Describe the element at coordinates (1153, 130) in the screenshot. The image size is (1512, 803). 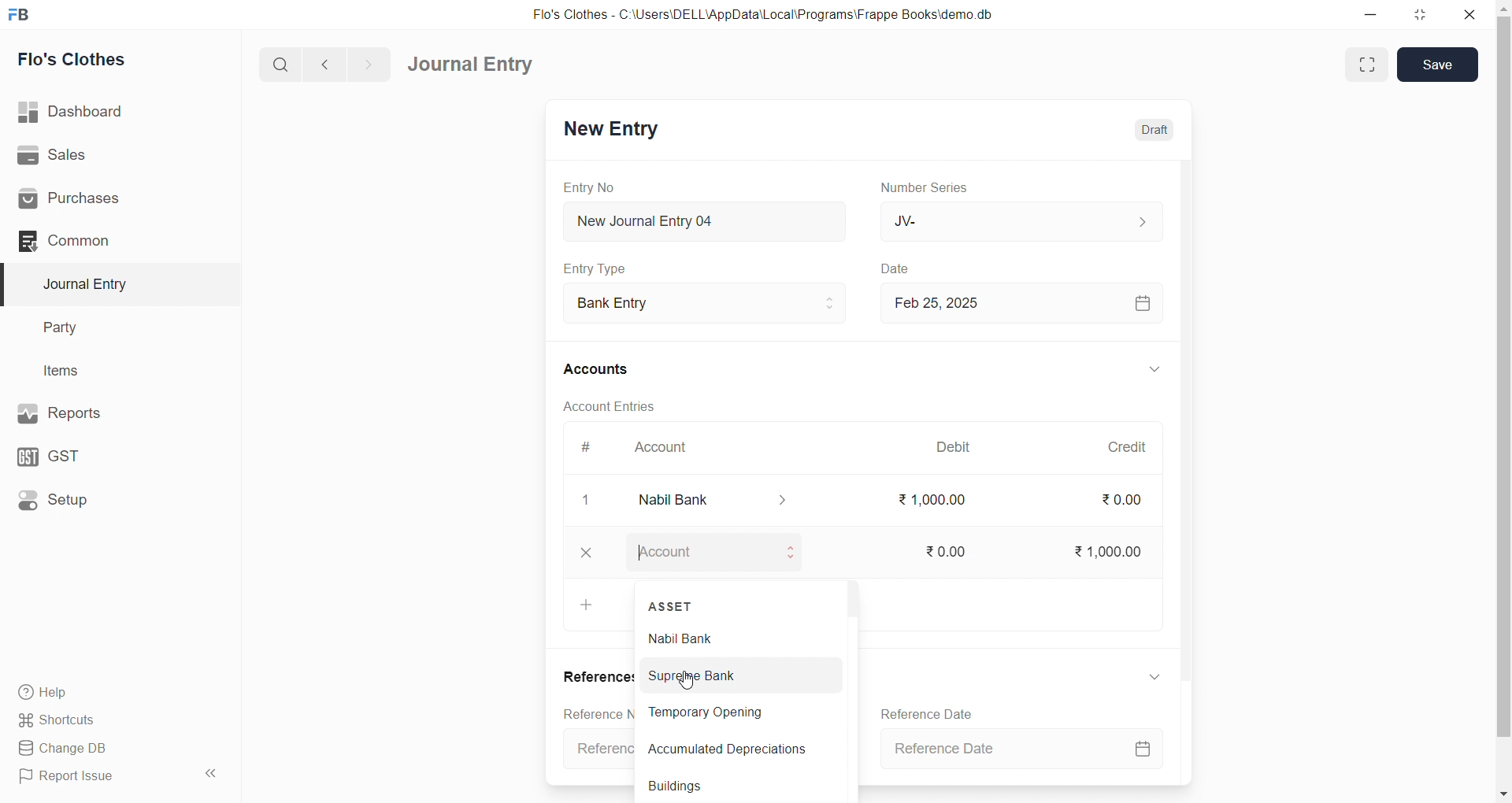
I see `Draft` at that location.